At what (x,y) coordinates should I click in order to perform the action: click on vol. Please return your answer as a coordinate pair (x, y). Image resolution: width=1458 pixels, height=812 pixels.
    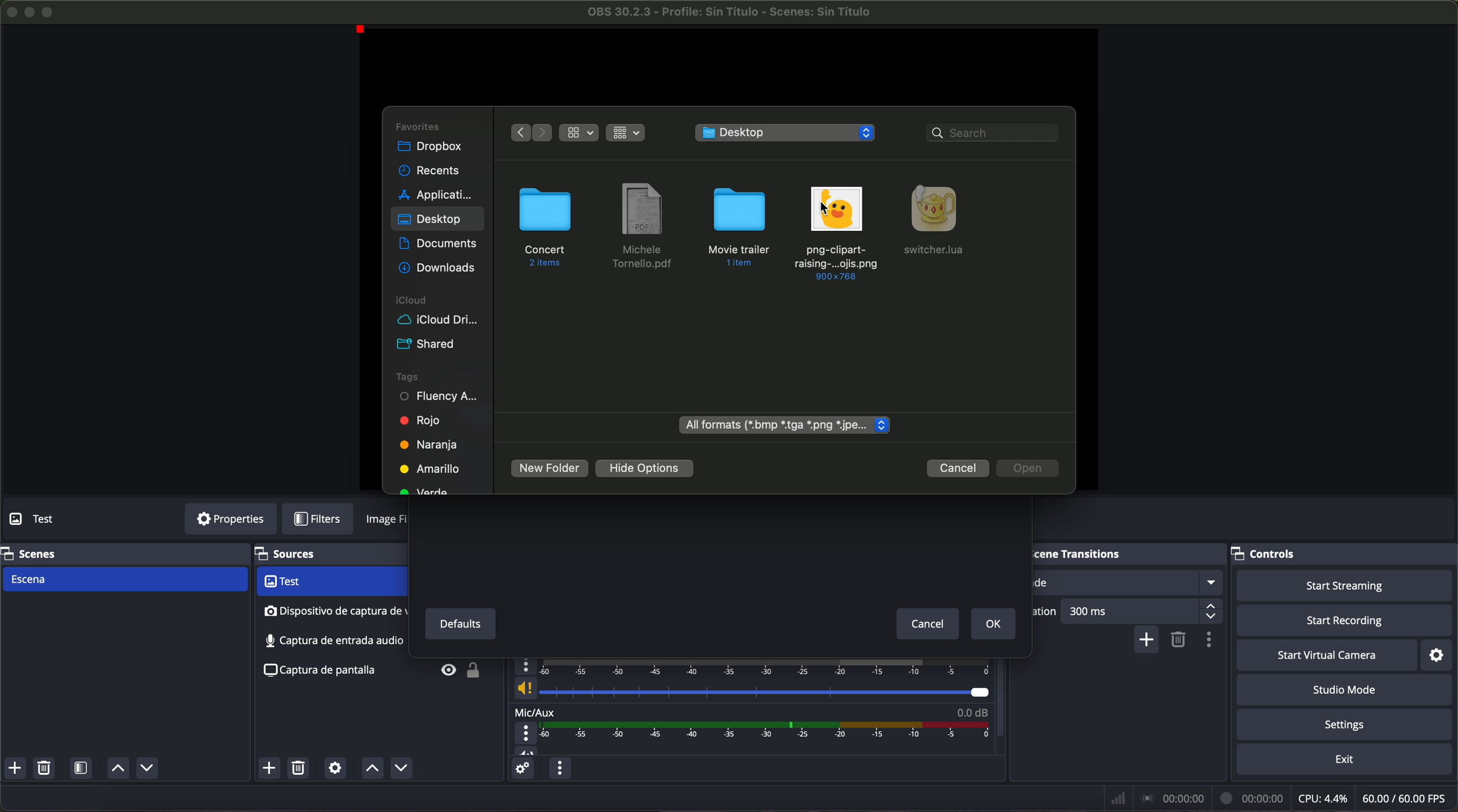
    Looking at the image, I should click on (526, 750).